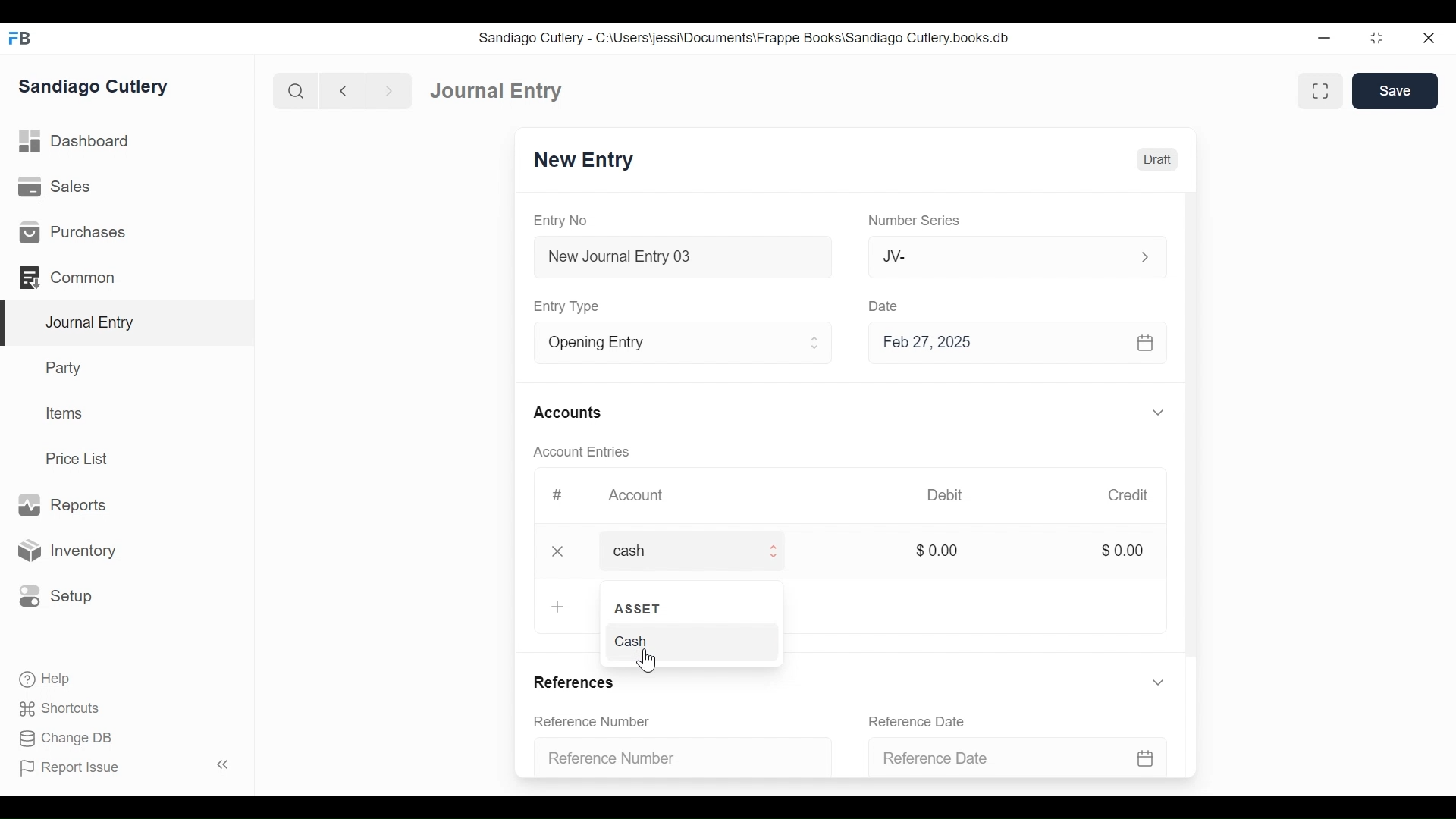  What do you see at coordinates (560, 551) in the screenshot?
I see `Close` at bounding box center [560, 551].